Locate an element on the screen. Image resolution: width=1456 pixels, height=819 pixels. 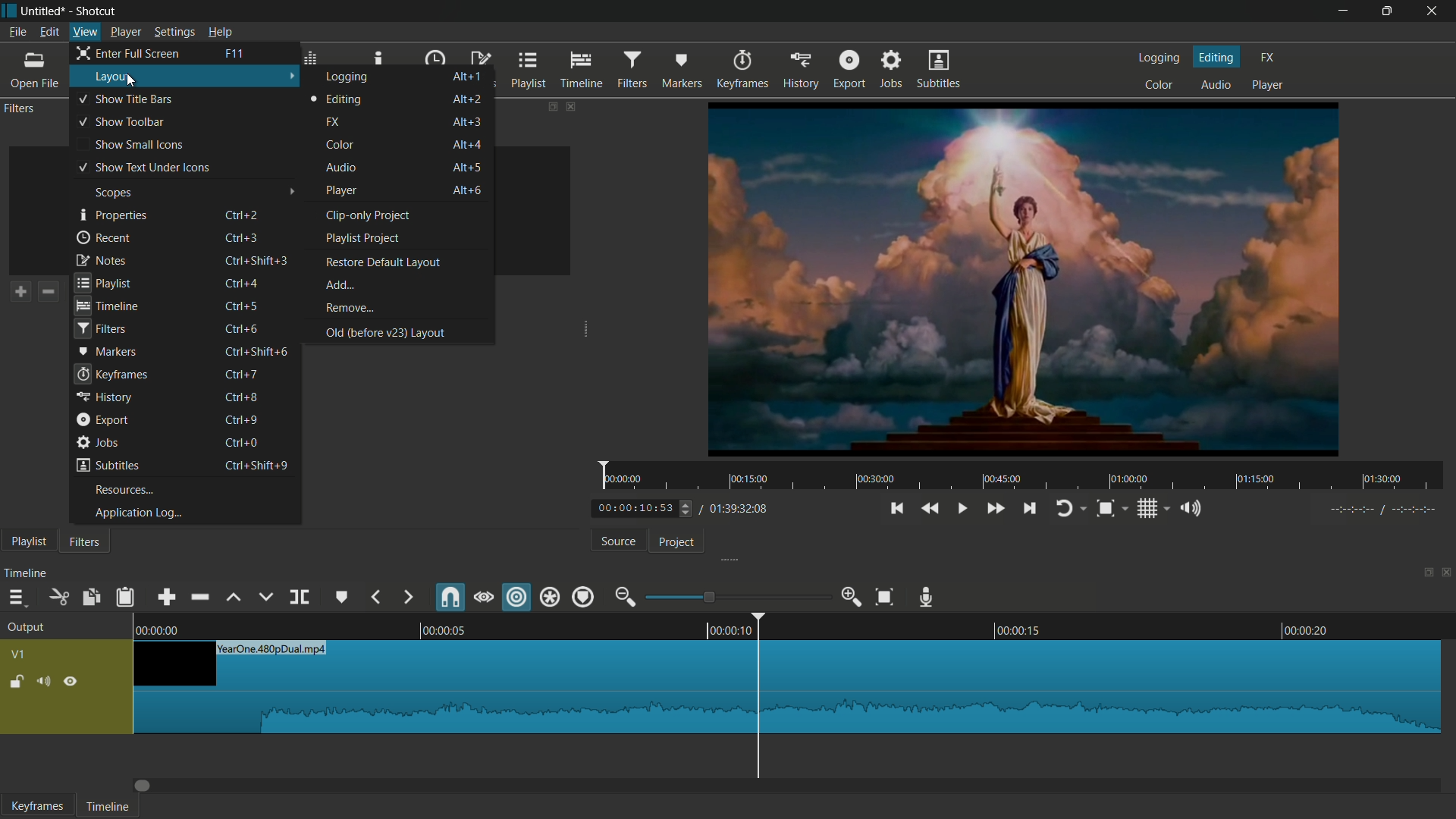
show title bars is located at coordinates (125, 98).